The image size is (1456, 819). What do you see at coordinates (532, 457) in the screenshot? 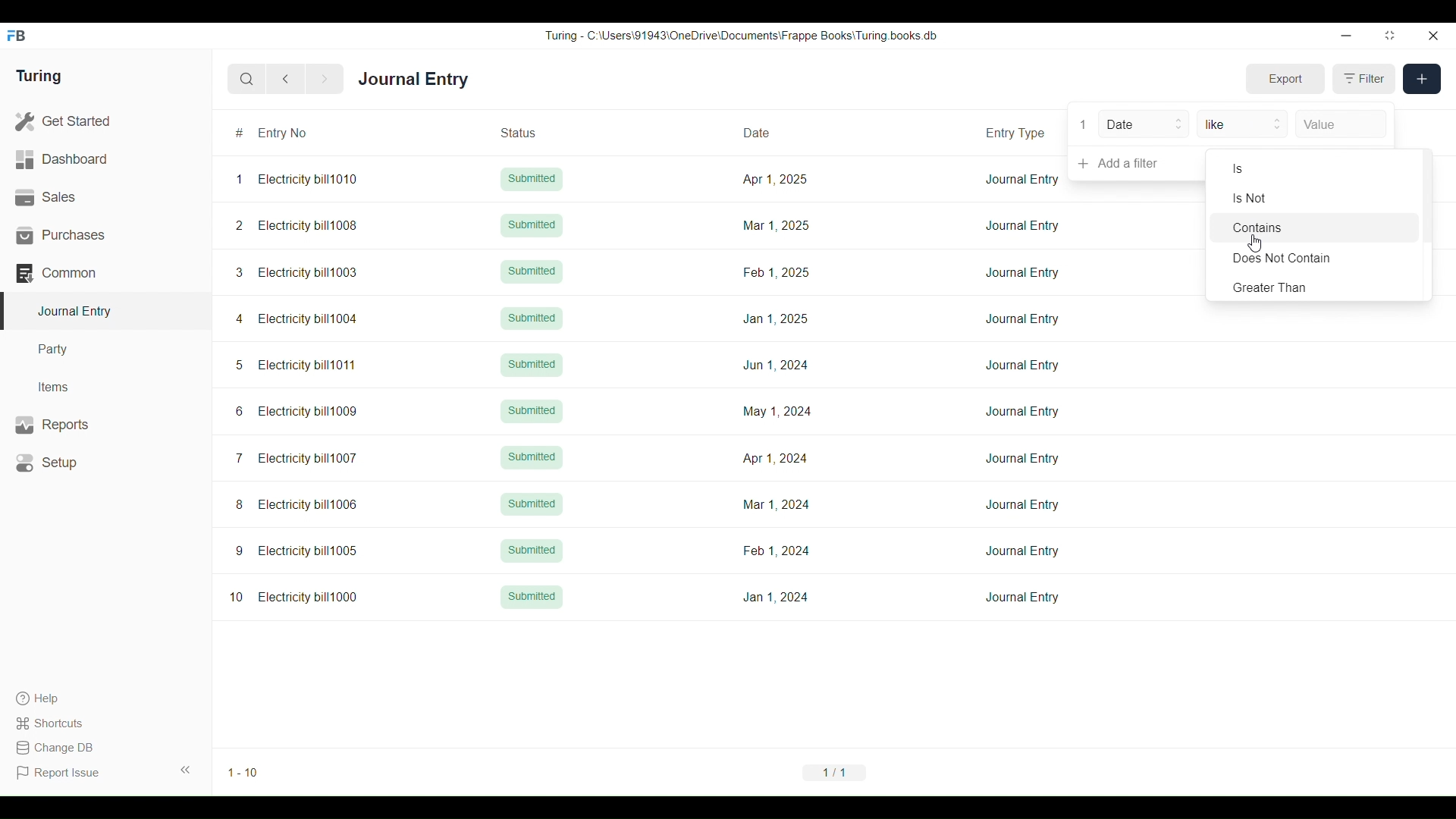
I see `Submitted` at bounding box center [532, 457].